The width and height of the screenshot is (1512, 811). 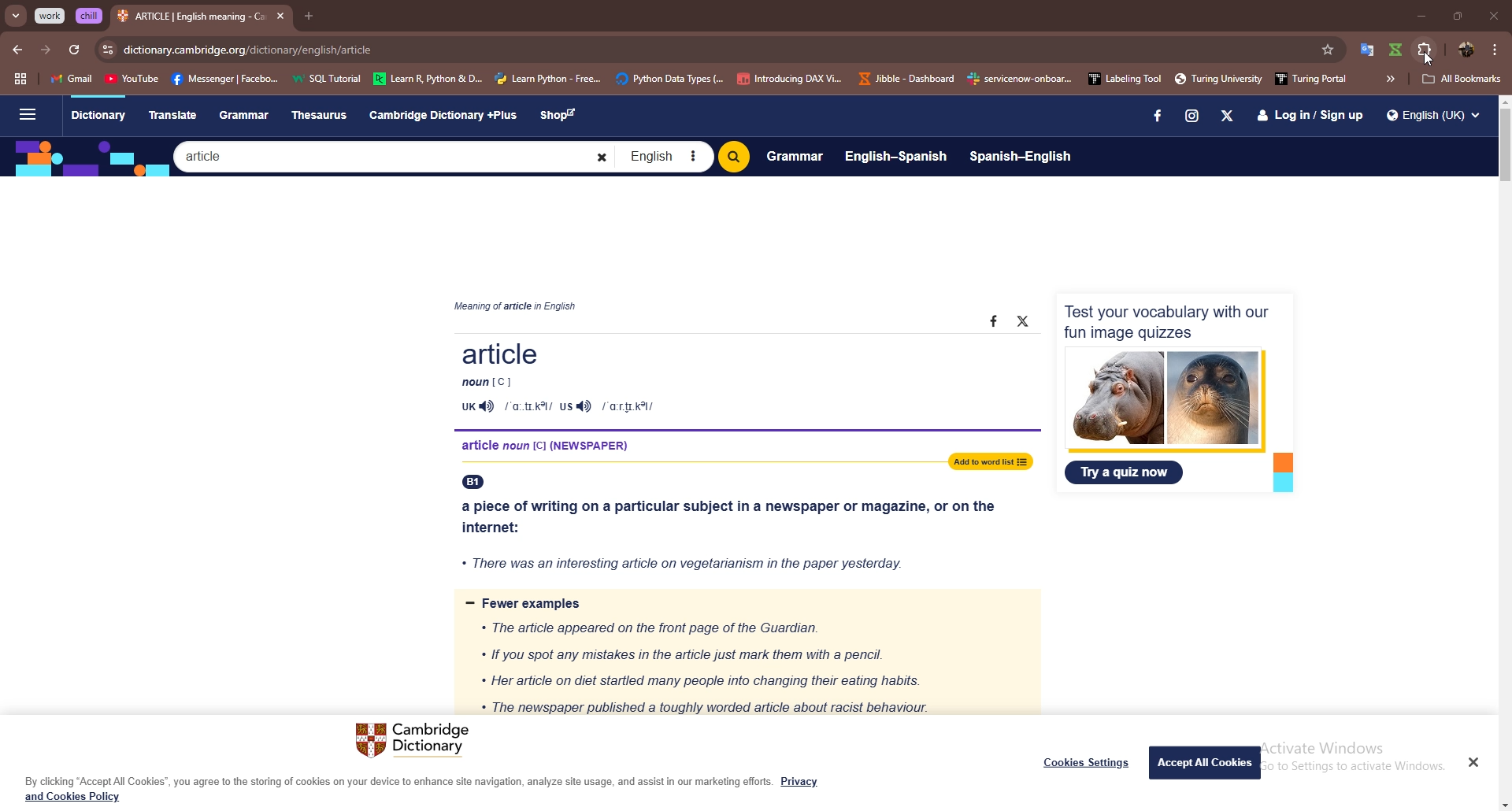 What do you see at coordinates (1467, 50) in the screenshot?
I see `profile` at bounding box center [1467, 50].